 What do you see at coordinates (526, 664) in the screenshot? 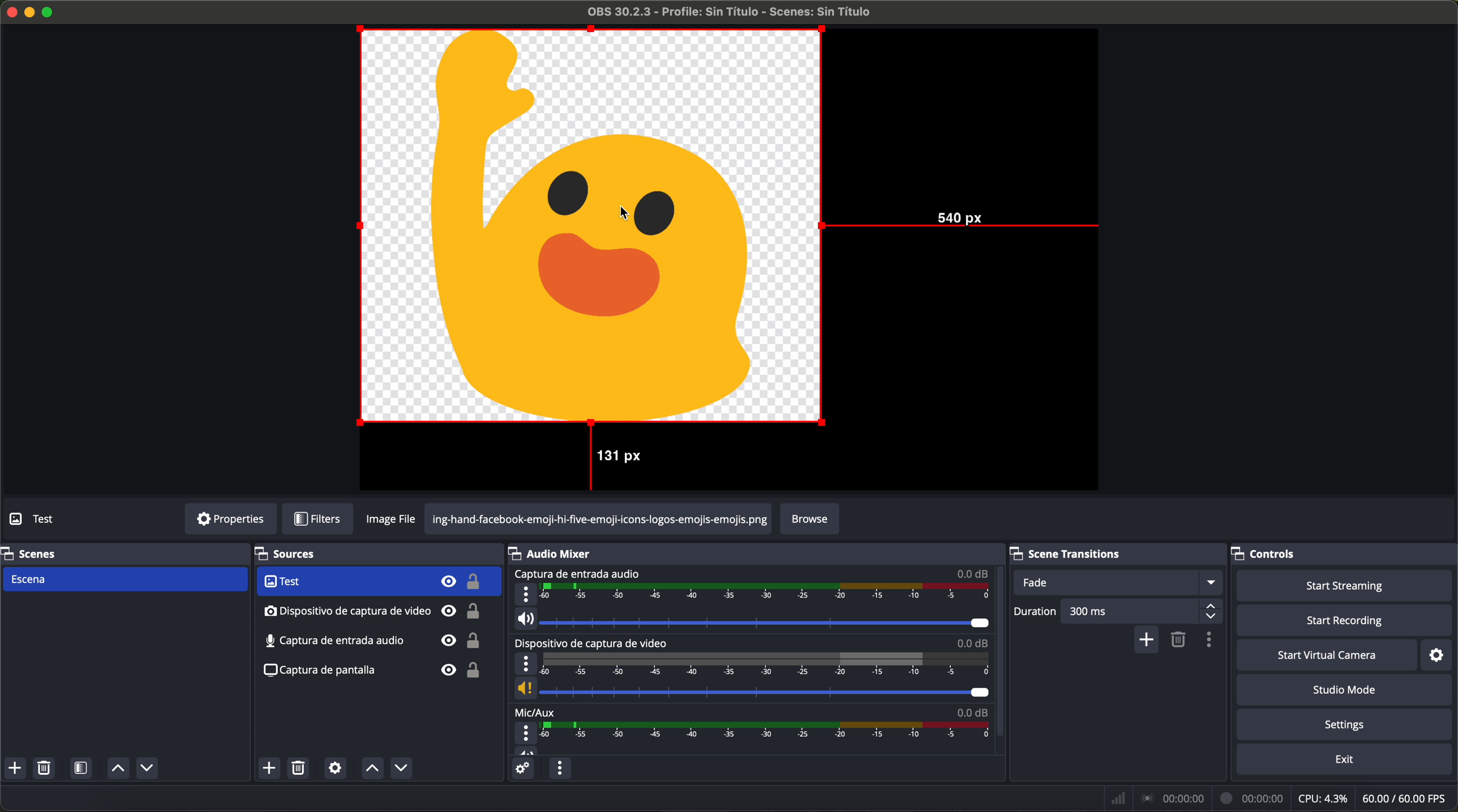
I see `more options` at bounding box center [526, 664].